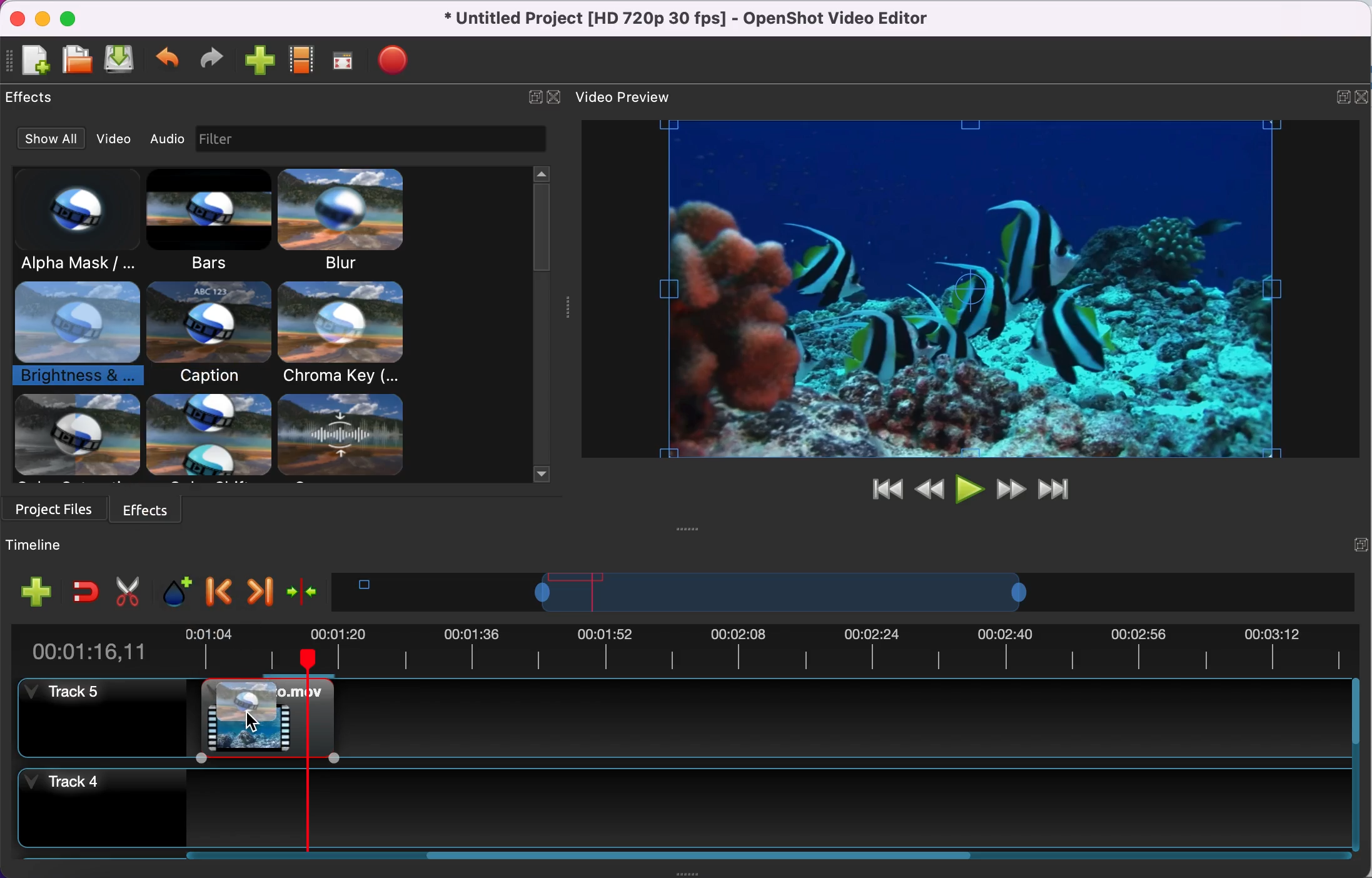 The width and height of the screenshot is (1372, 878). I want to click on maximize, so click(71, 16).